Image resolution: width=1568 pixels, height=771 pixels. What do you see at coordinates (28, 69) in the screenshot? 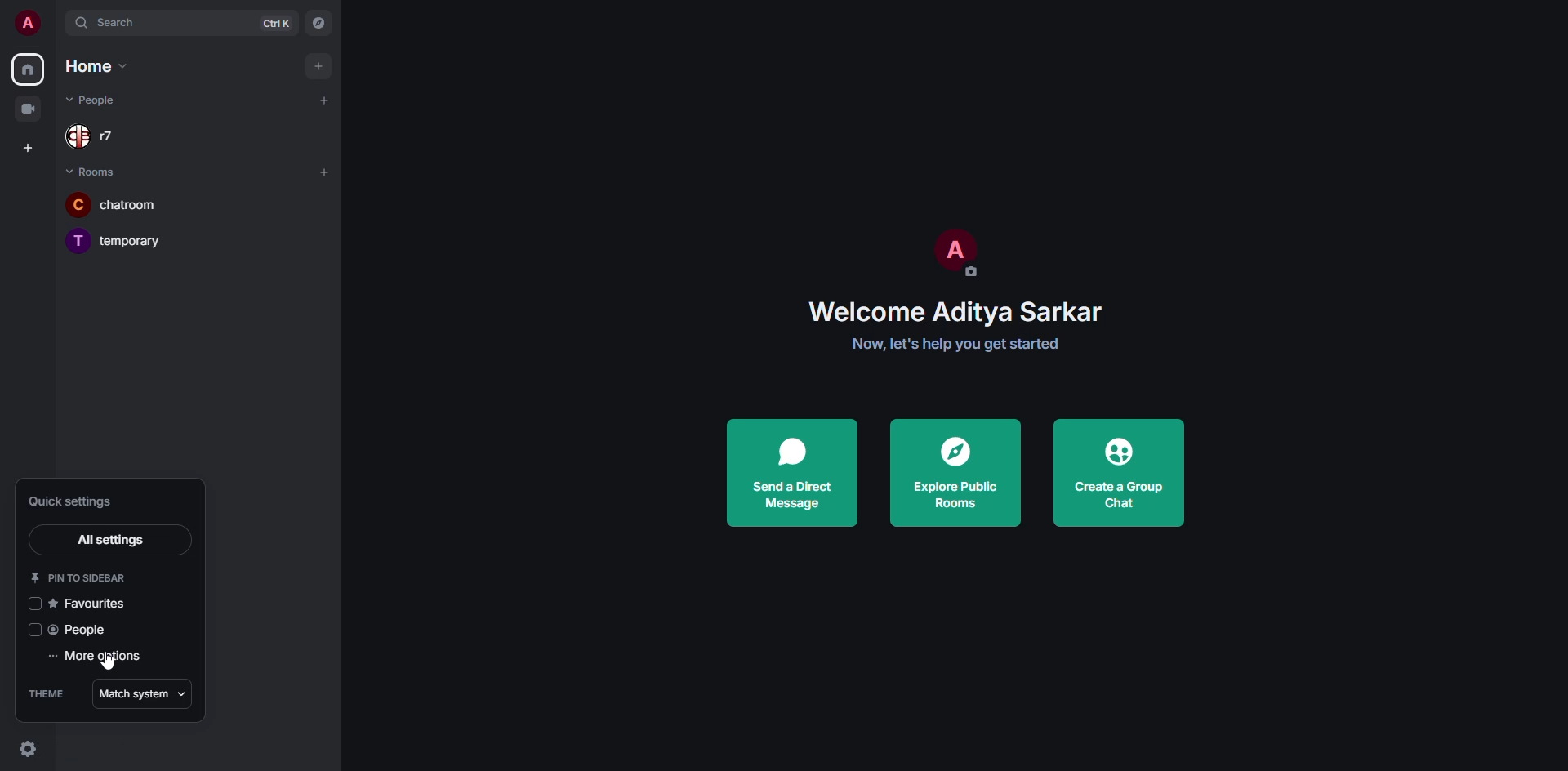
I see `home` at bounding box center [28, 69].